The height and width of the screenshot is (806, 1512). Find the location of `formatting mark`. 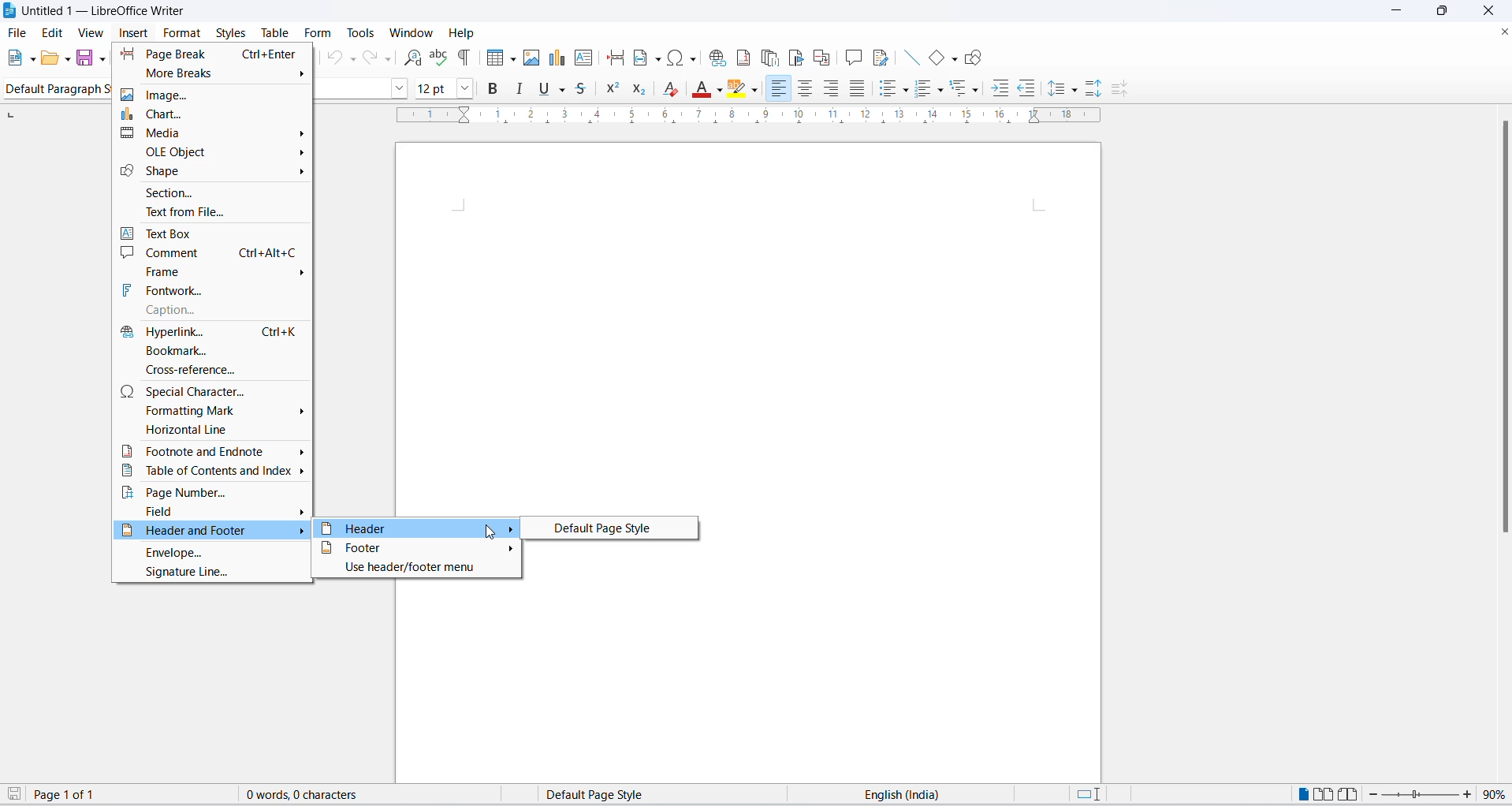

formatting mark is located at coordinates (212, 410).